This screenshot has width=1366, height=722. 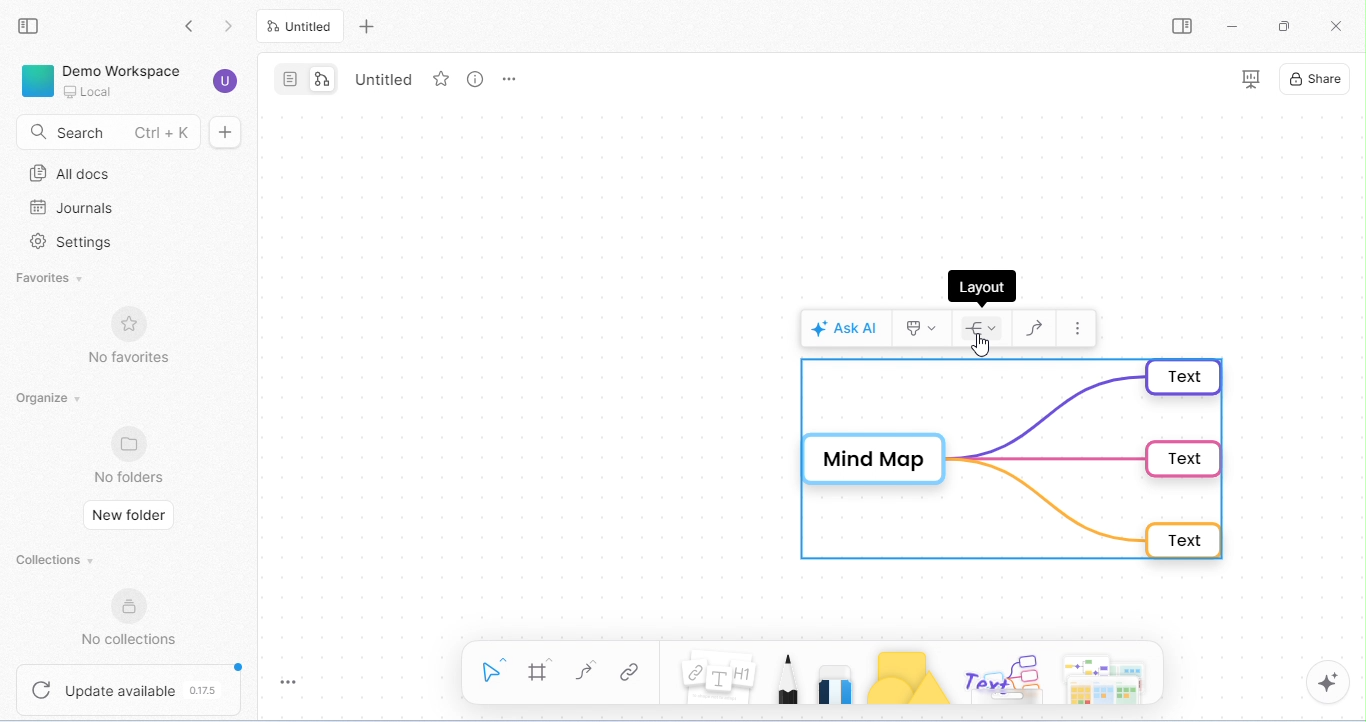 I want to click on view info, so click(x=472, y=79).